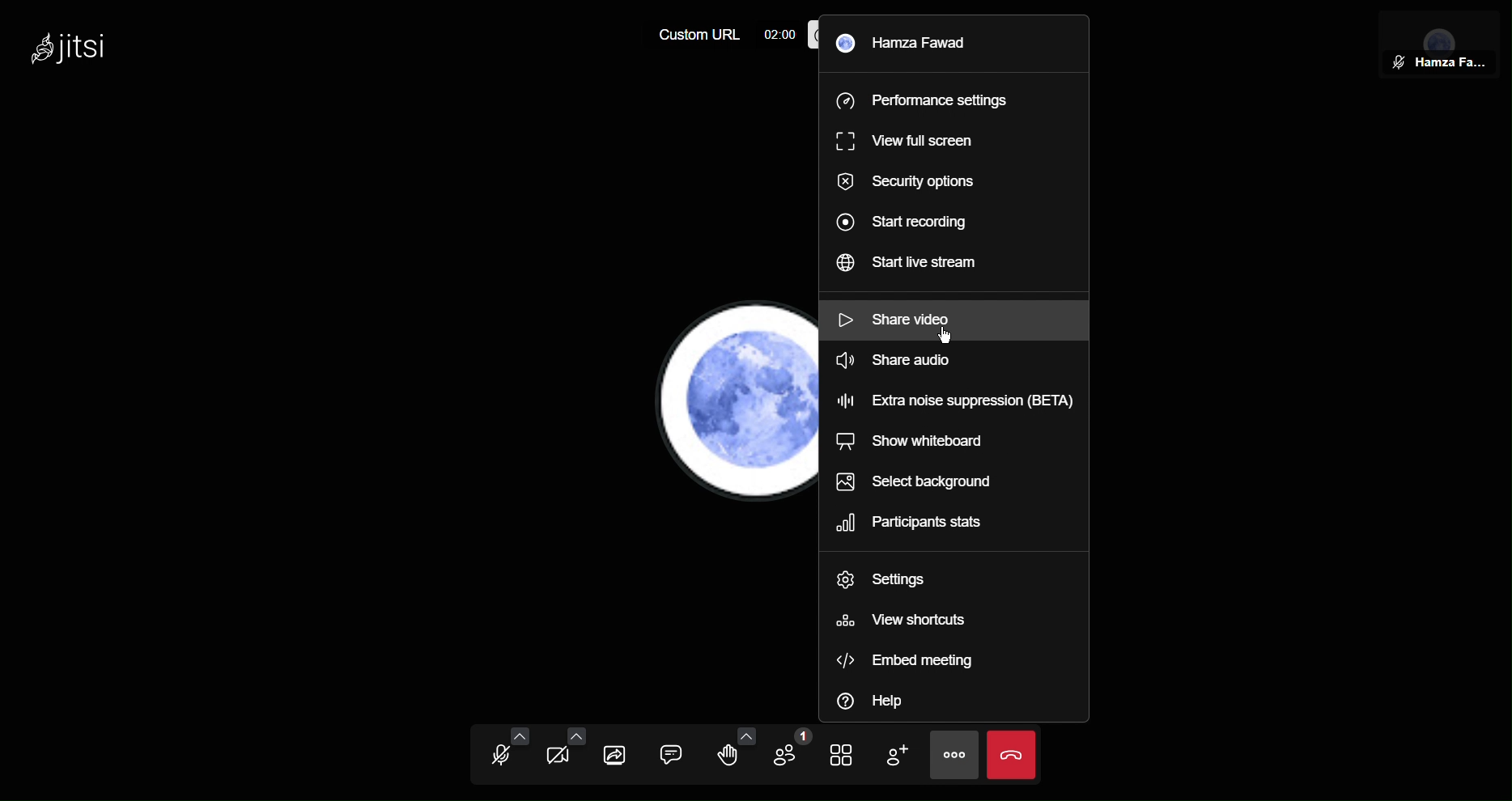 The image size is (1512, 801). I want to click on View full screen, so click(906, 141).